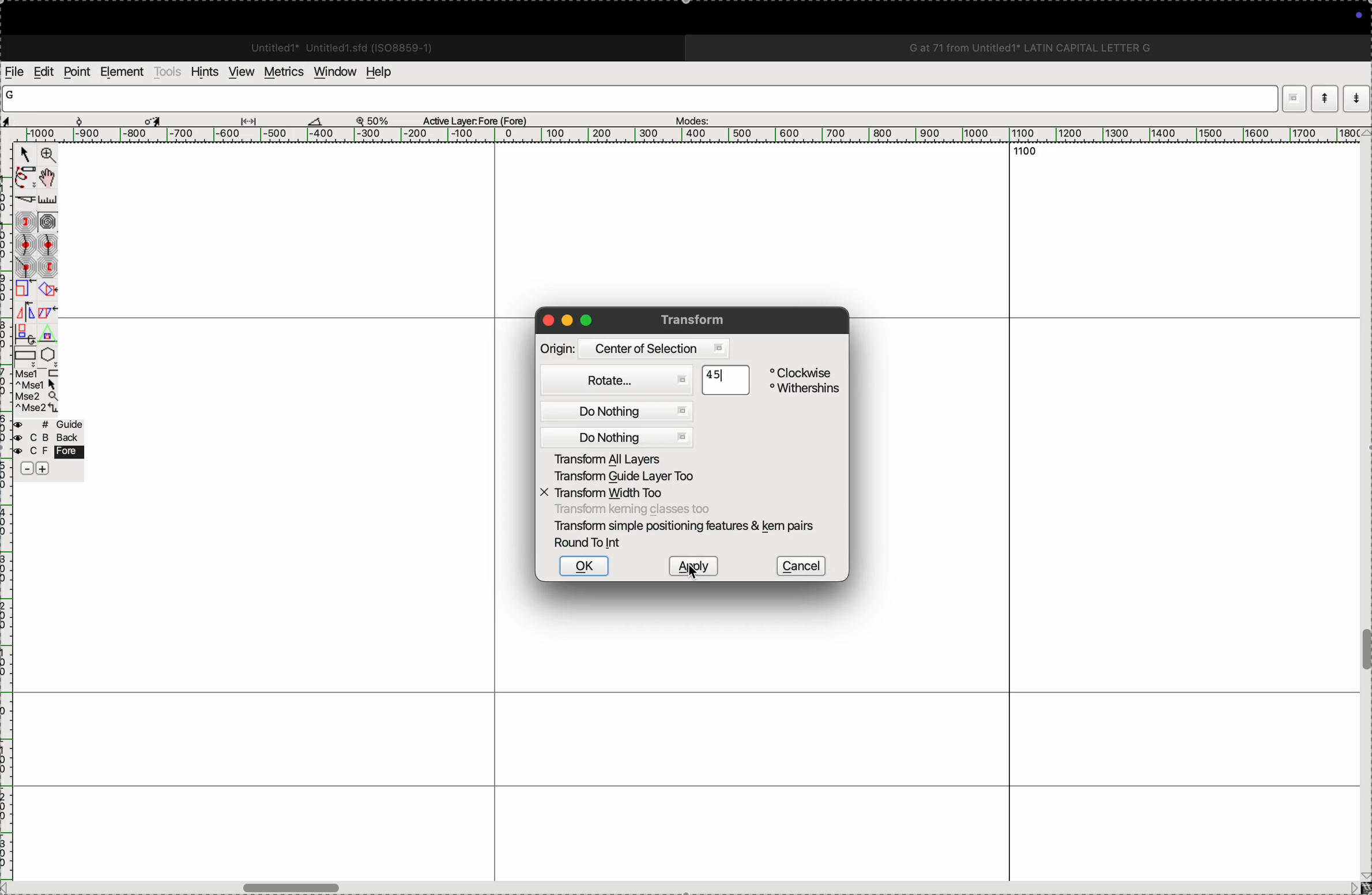 The height and width of the screenshot is (895, 1372). Describe the element at coordinates (40, 119) in the screenshot. I see `cordinates` at that location.